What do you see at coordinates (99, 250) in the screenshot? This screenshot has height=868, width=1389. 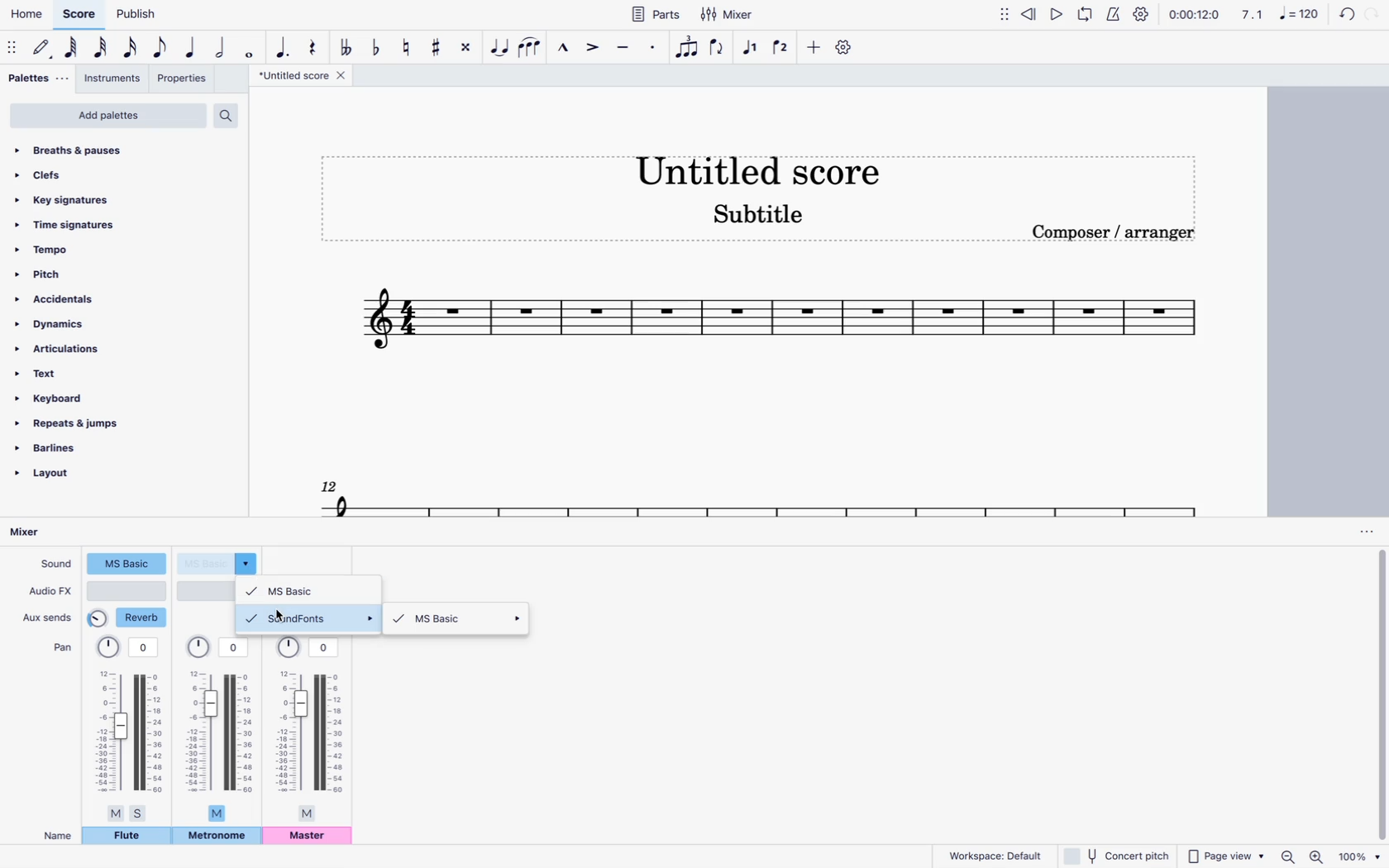 I see `tempo` at bounding box center [99, 250].